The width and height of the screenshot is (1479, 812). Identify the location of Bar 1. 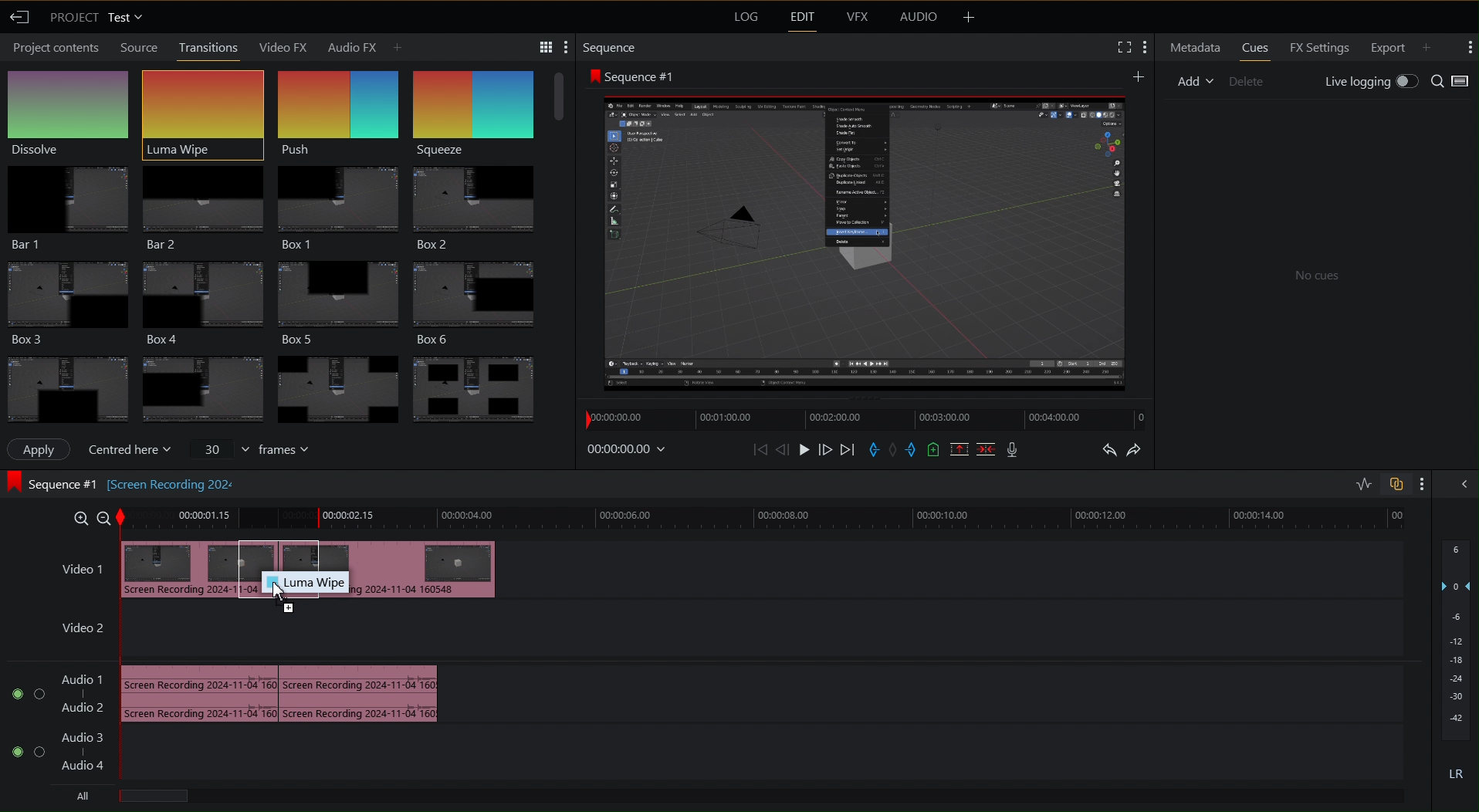
(67, 205).